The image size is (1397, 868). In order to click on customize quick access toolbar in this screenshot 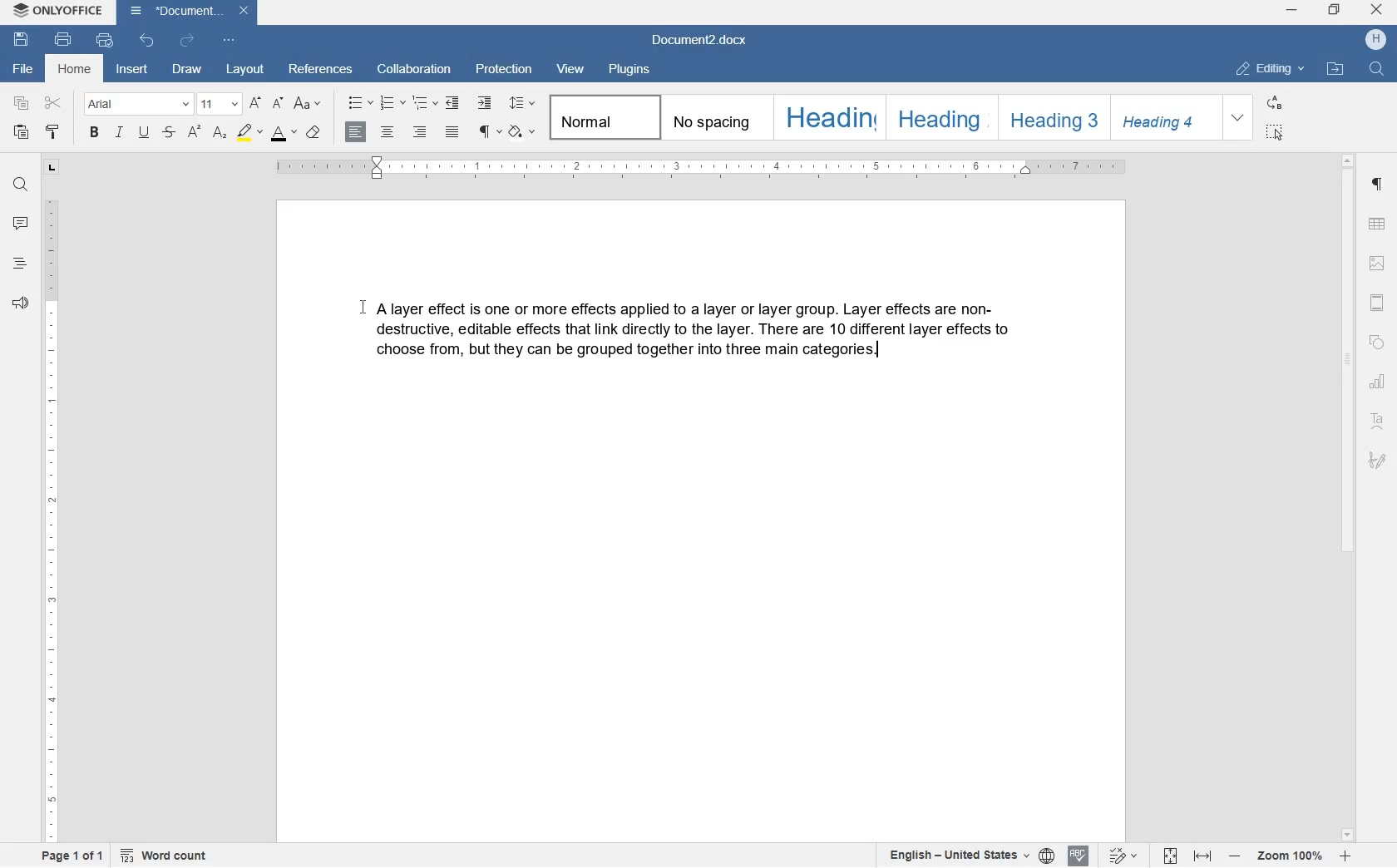, I will do `click(230, 42)`.